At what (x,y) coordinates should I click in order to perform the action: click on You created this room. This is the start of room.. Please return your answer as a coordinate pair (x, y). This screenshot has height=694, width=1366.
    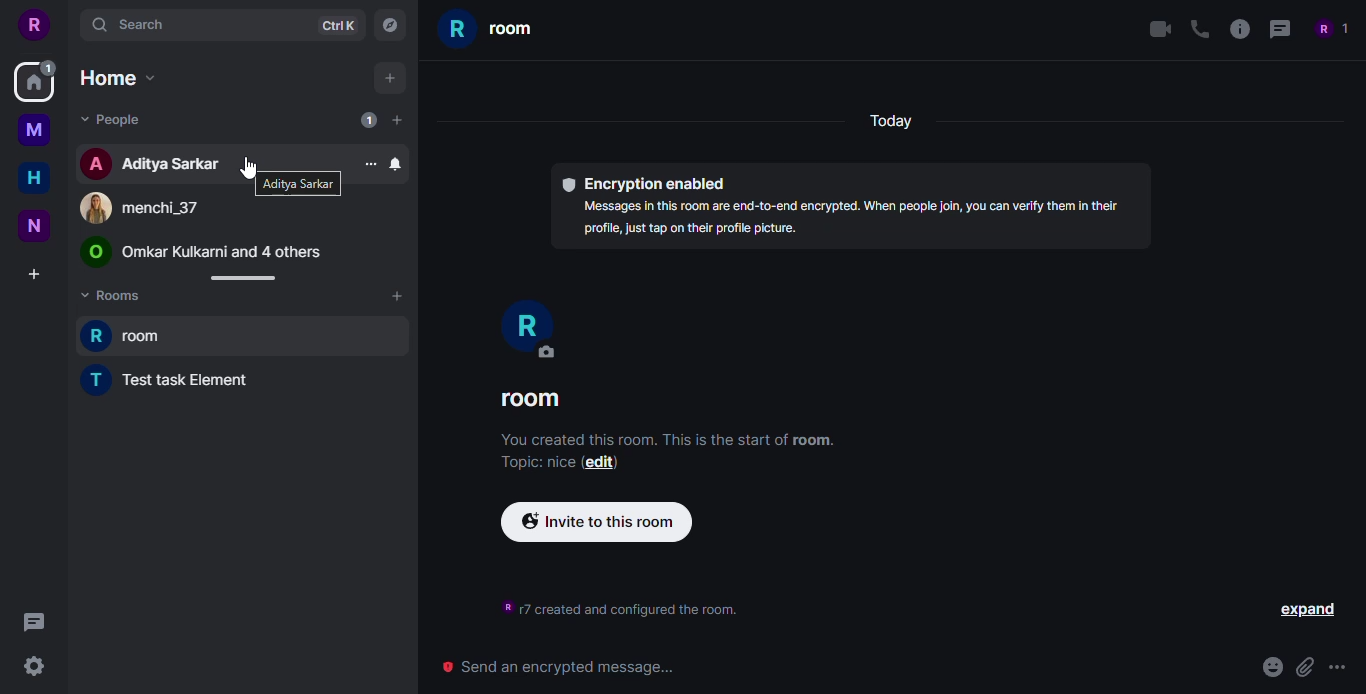
    Looking at the image, I should click on (669, 440).